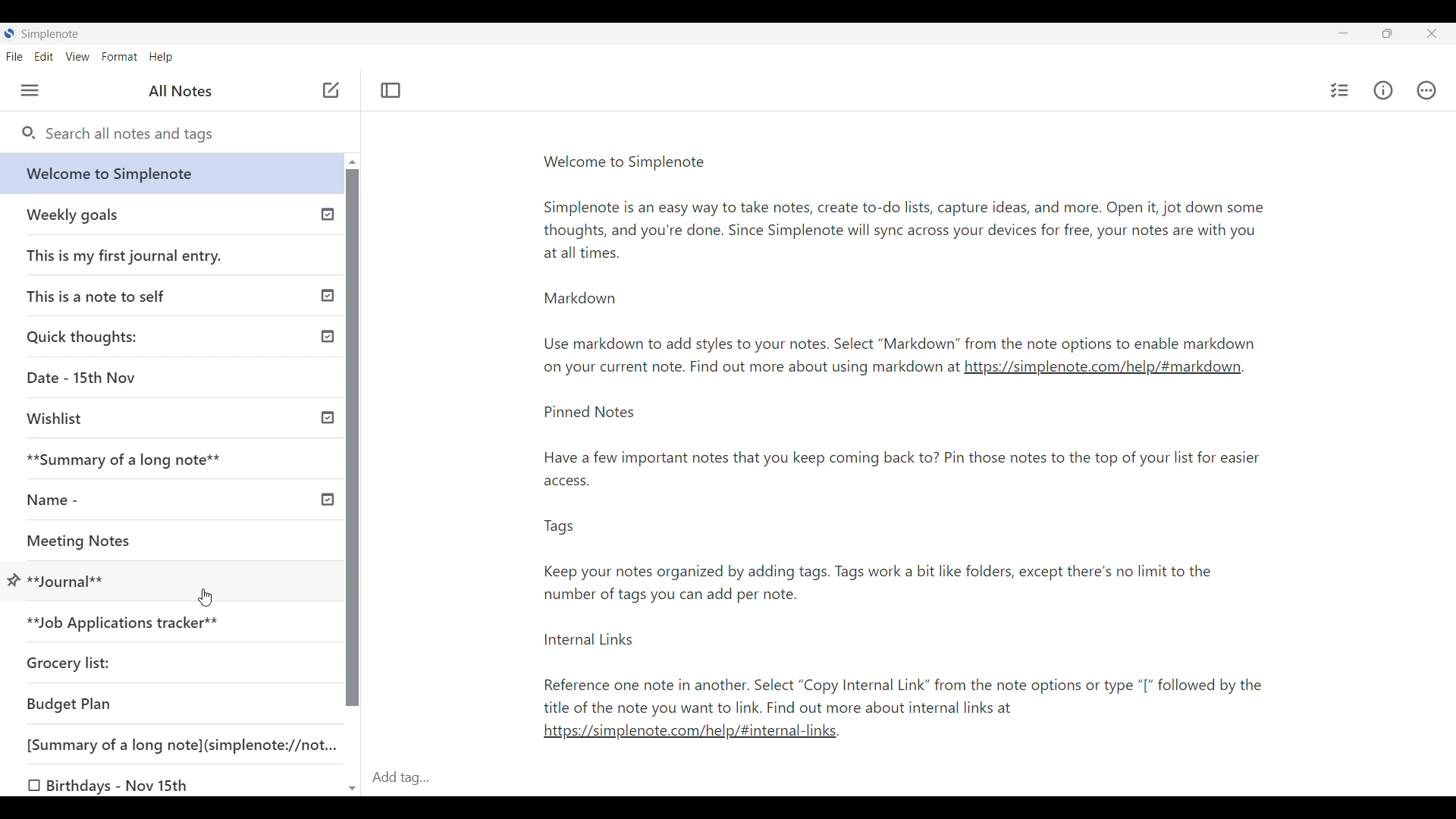 The width and height of the screenshot is (1456, 819). Describe the element at coordinates (61, 419) in the screenshot. I see `Wishlist` at that location.